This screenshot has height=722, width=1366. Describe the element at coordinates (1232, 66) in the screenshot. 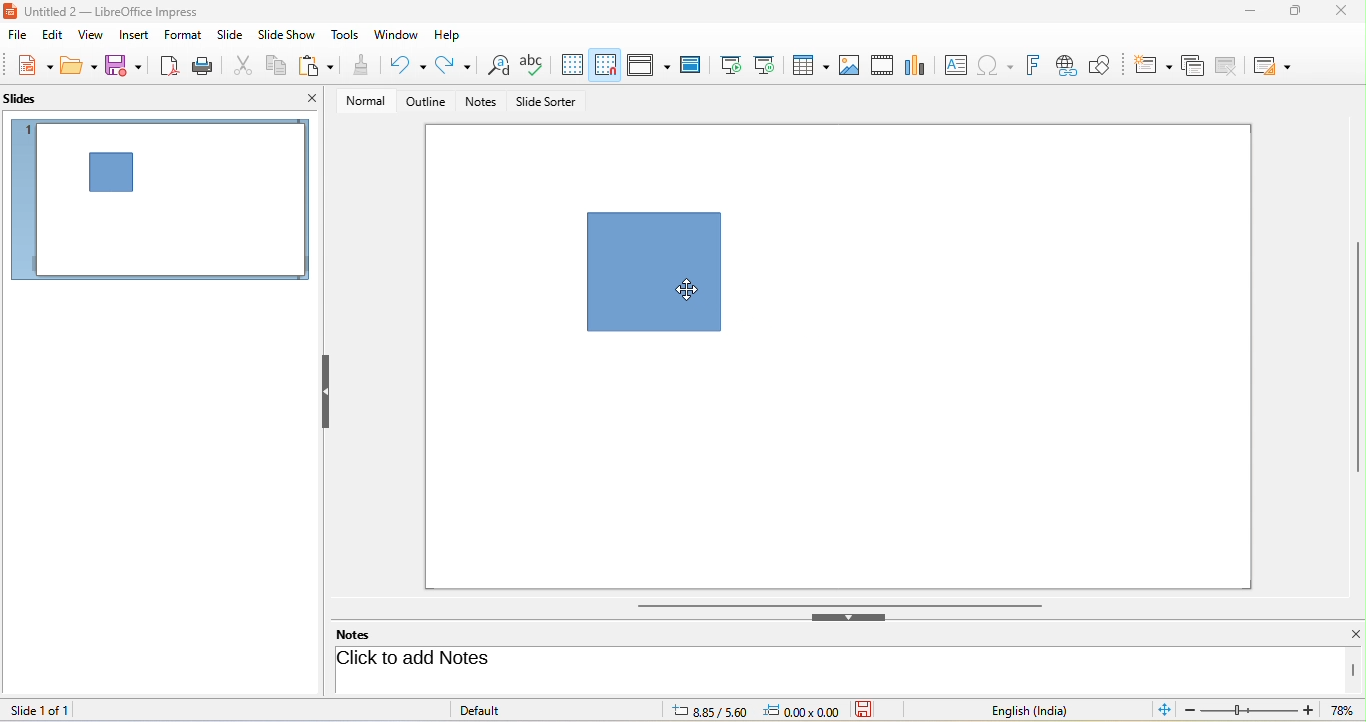

I see `delete slide` at that location.